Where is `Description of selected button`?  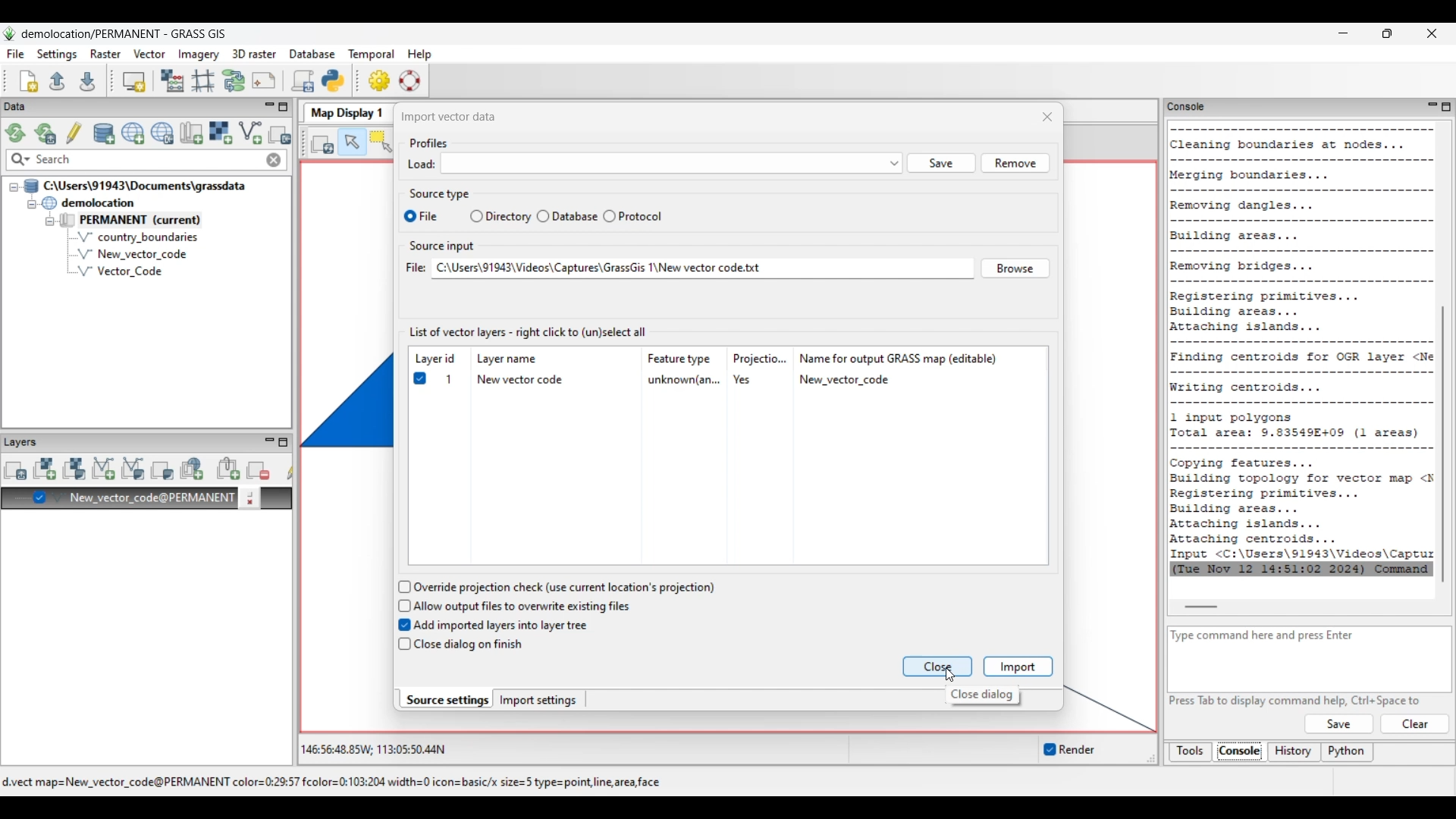
Description of selected button is located at coordinates (981, 695).